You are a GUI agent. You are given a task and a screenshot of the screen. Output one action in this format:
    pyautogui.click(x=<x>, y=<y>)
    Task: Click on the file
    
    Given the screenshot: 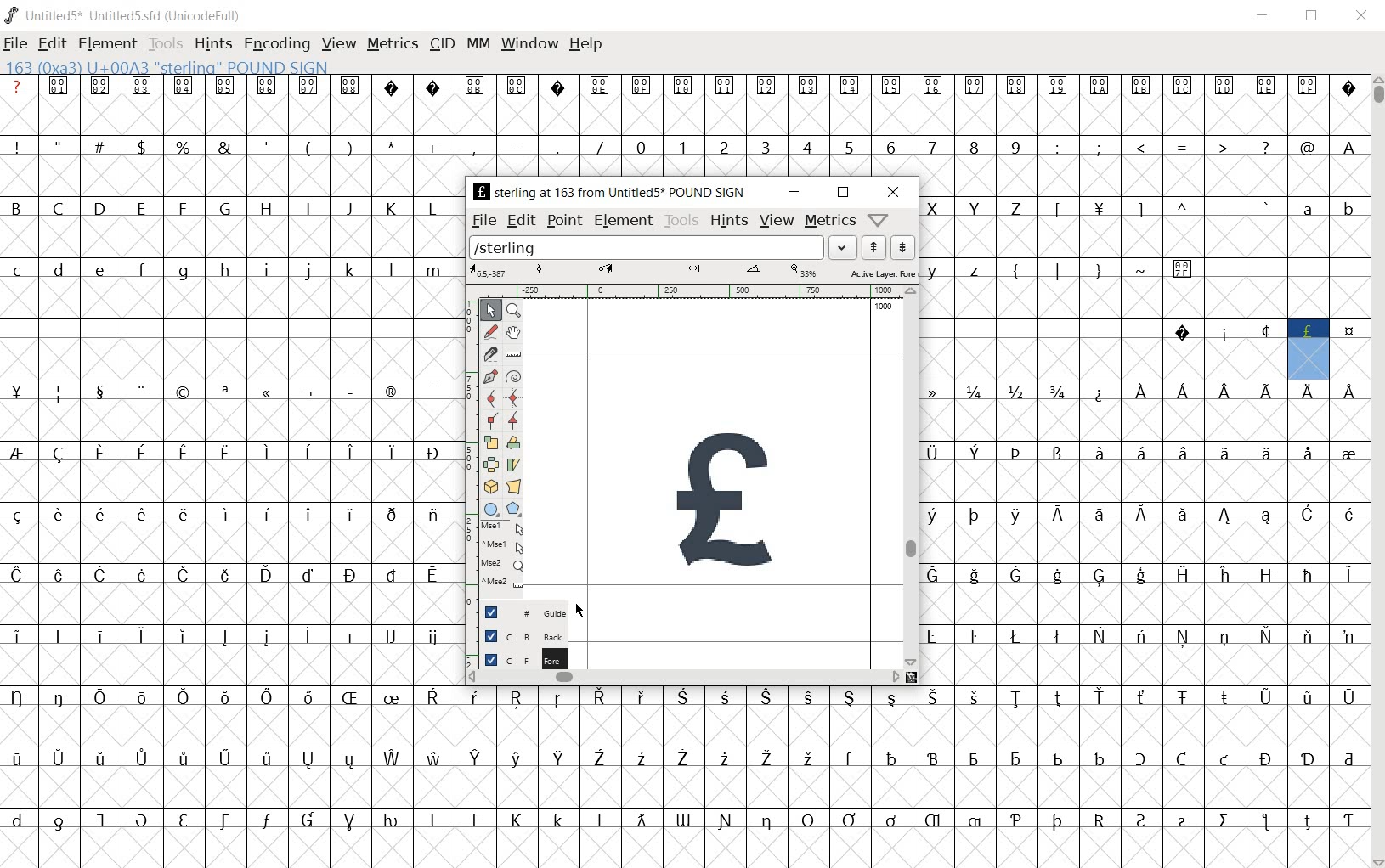 What is the action you would take?
    pyautogui.click(x=483, y=220)
    